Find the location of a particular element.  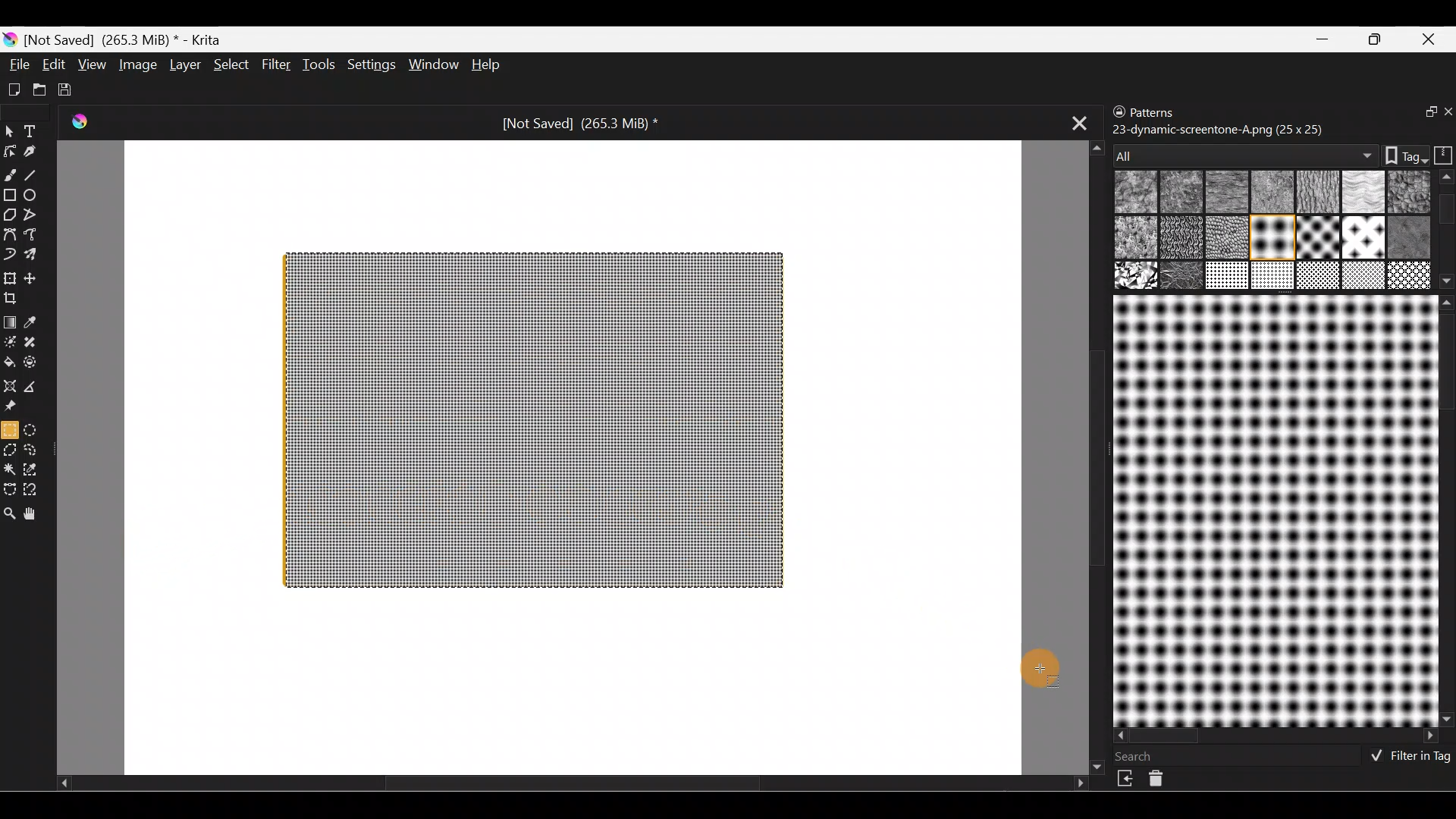

23-dynamic-screentone-A.png (25 x 25) is located at coordinates (1219, 128).